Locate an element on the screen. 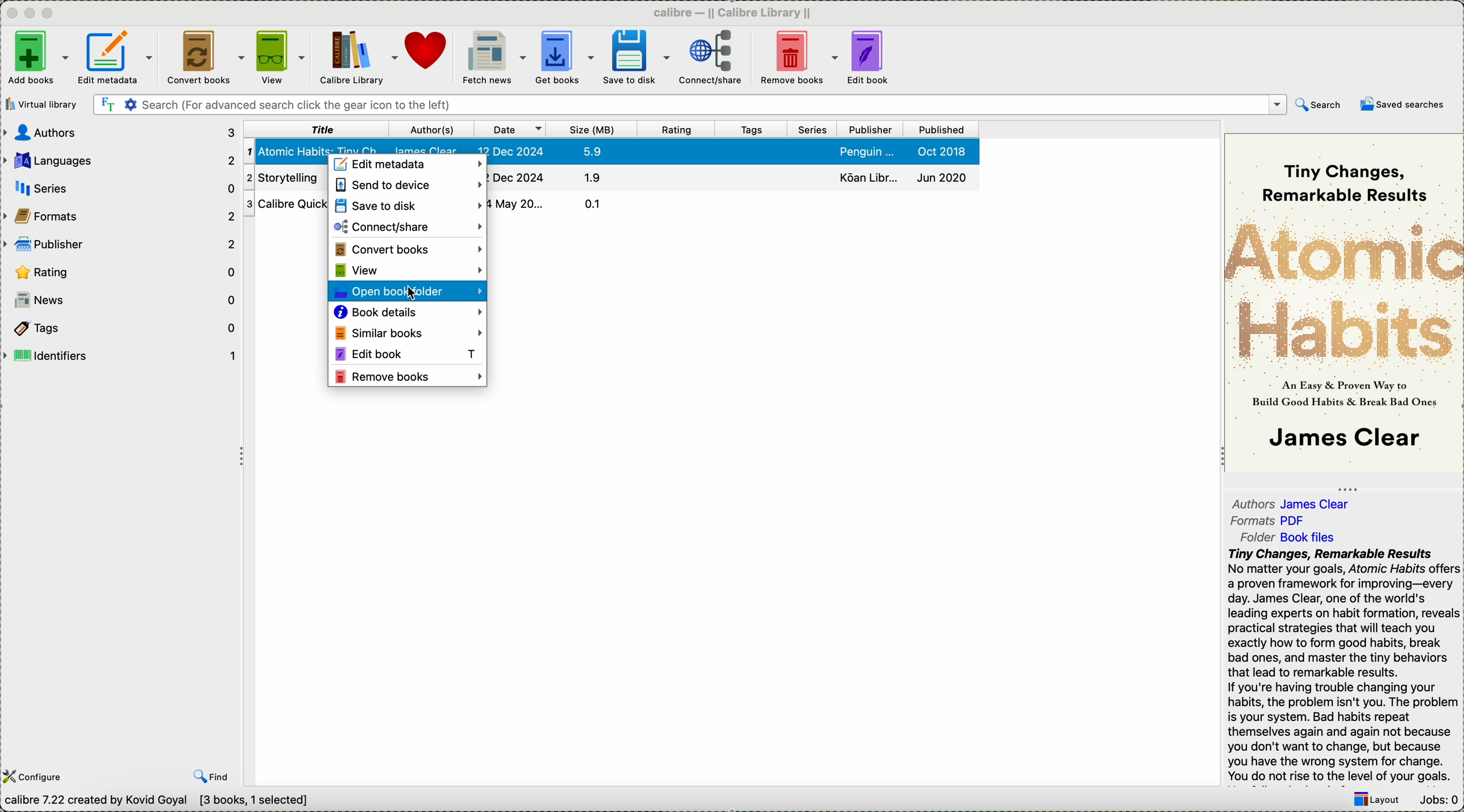 This screenshot has height=812, width=1464. book details is located at coordinates (407, 313).